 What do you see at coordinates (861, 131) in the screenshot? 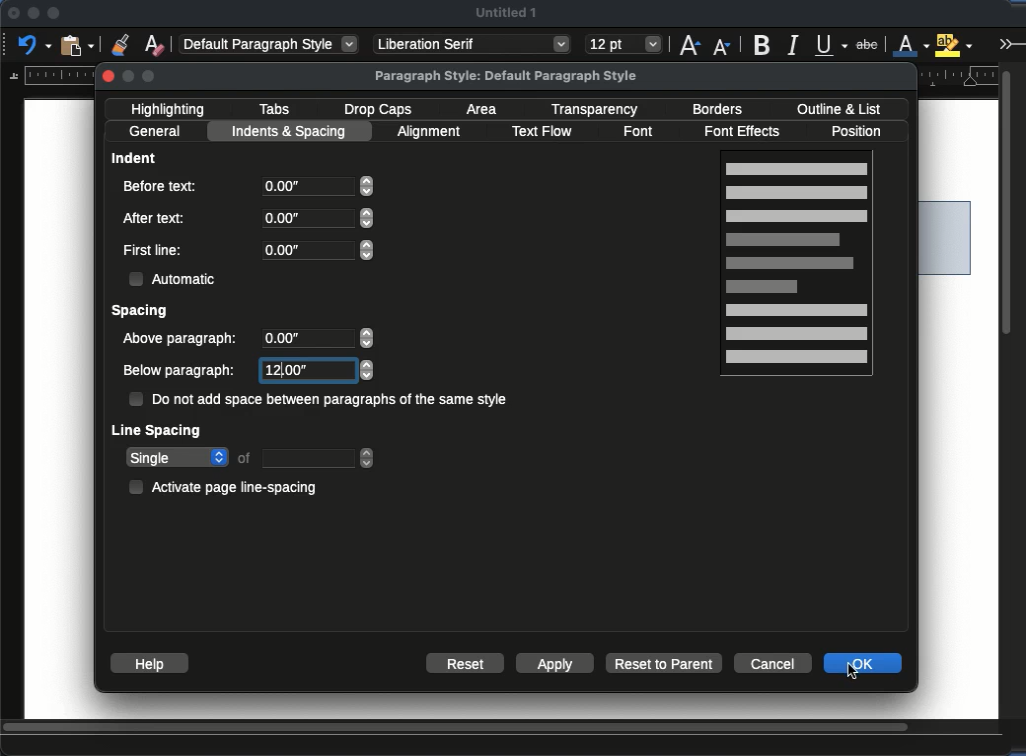
I see `position` at bounding box center [861, 131].